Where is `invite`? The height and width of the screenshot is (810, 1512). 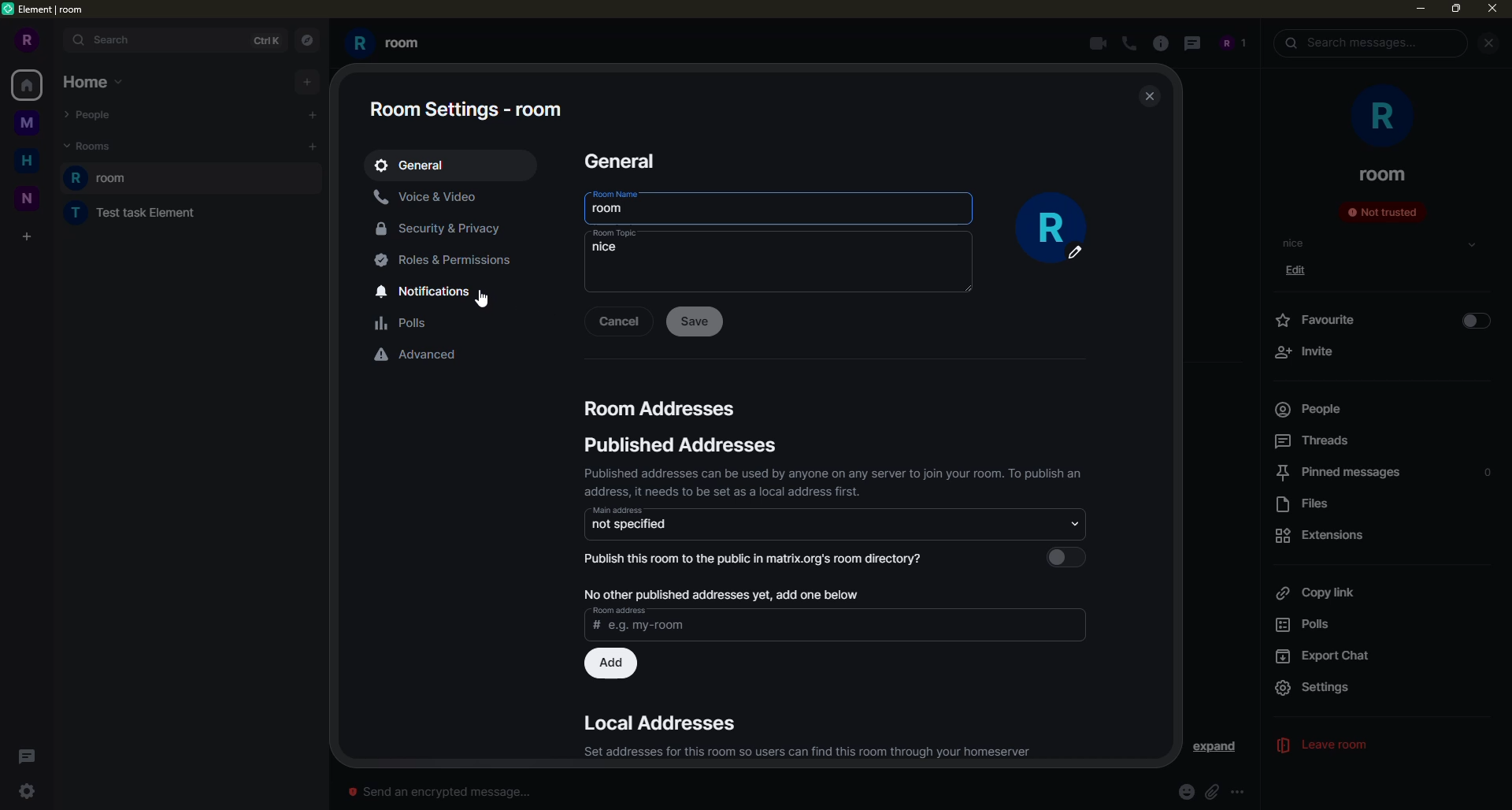 invite is located at coordinates (1304, 351).